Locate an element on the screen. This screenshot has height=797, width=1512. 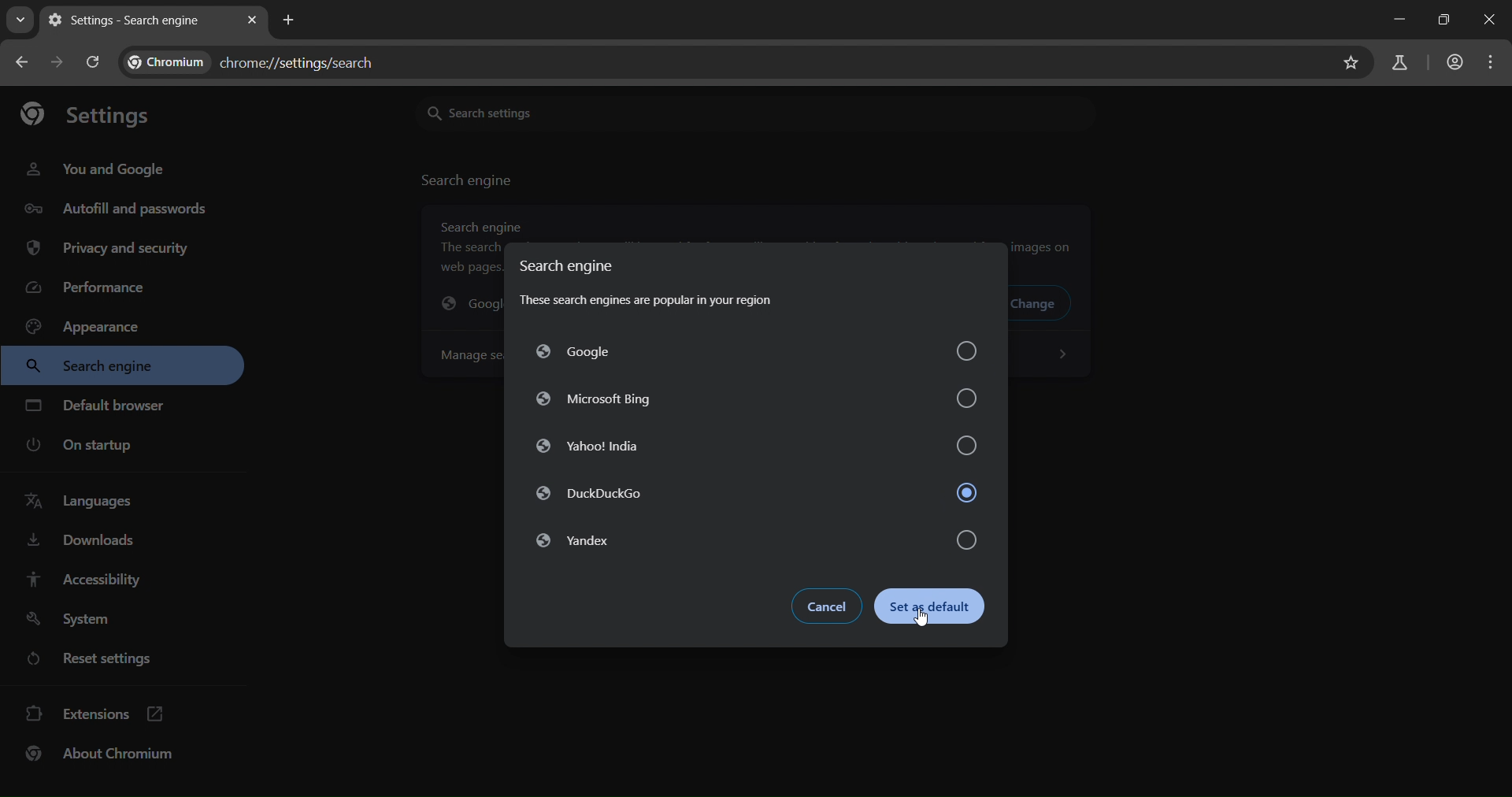
default browser is located at coordinates (98, 405).